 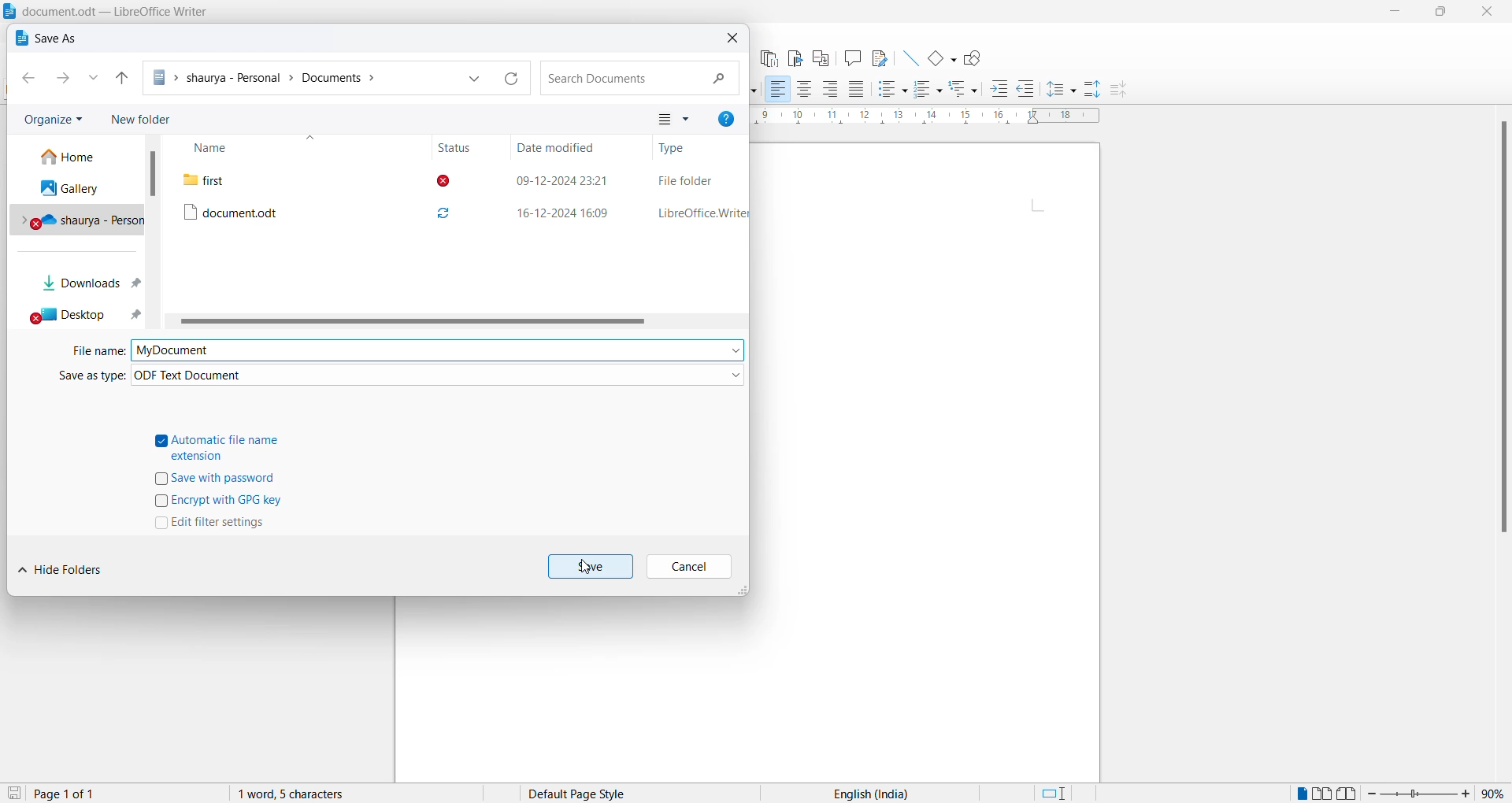 I want to click on file name: 'my document', so click(x=437, y=350).